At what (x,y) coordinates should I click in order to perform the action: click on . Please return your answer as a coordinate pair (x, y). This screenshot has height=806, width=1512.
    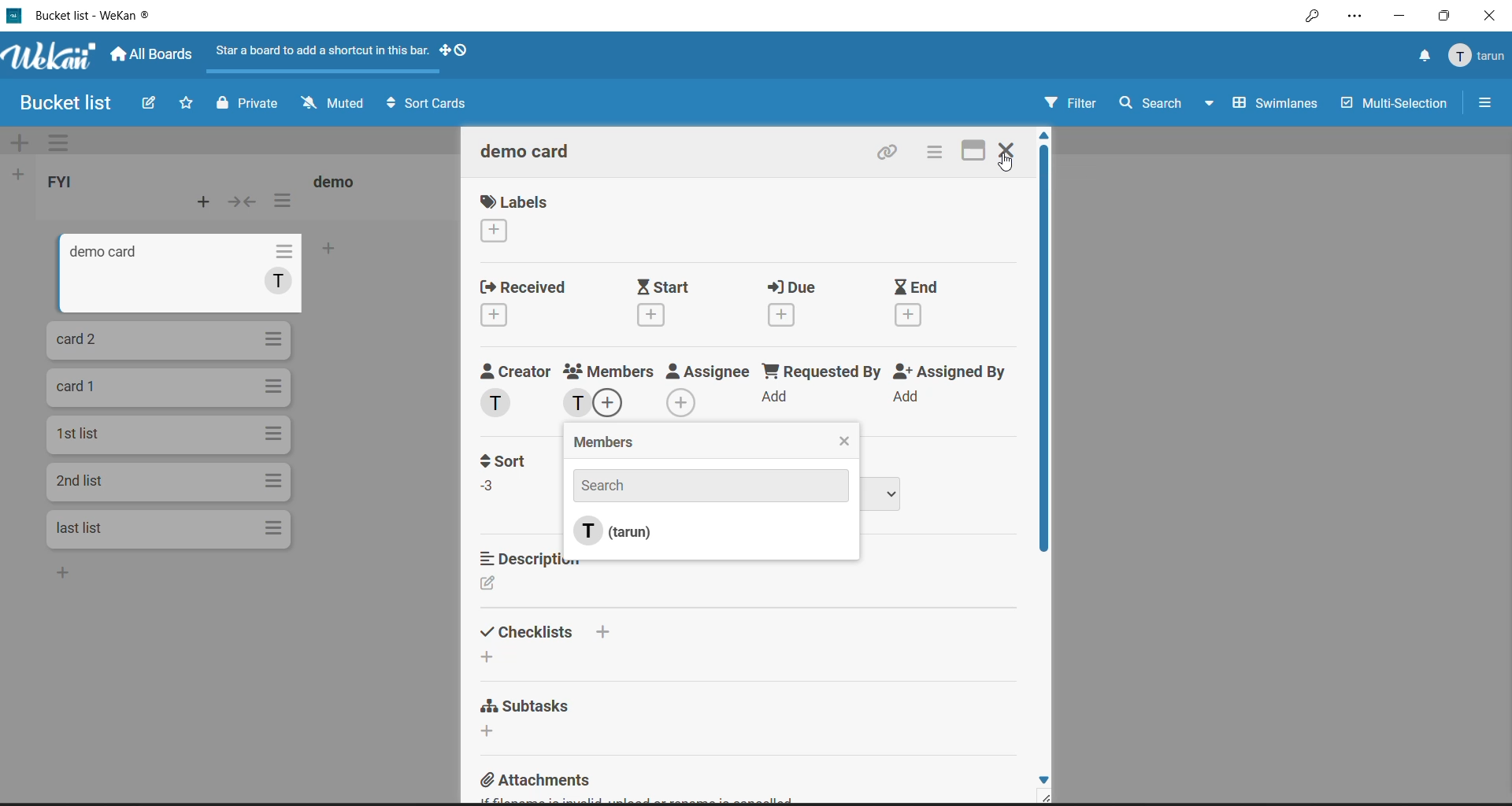
    Looking at the image, I should click on (918, 287).